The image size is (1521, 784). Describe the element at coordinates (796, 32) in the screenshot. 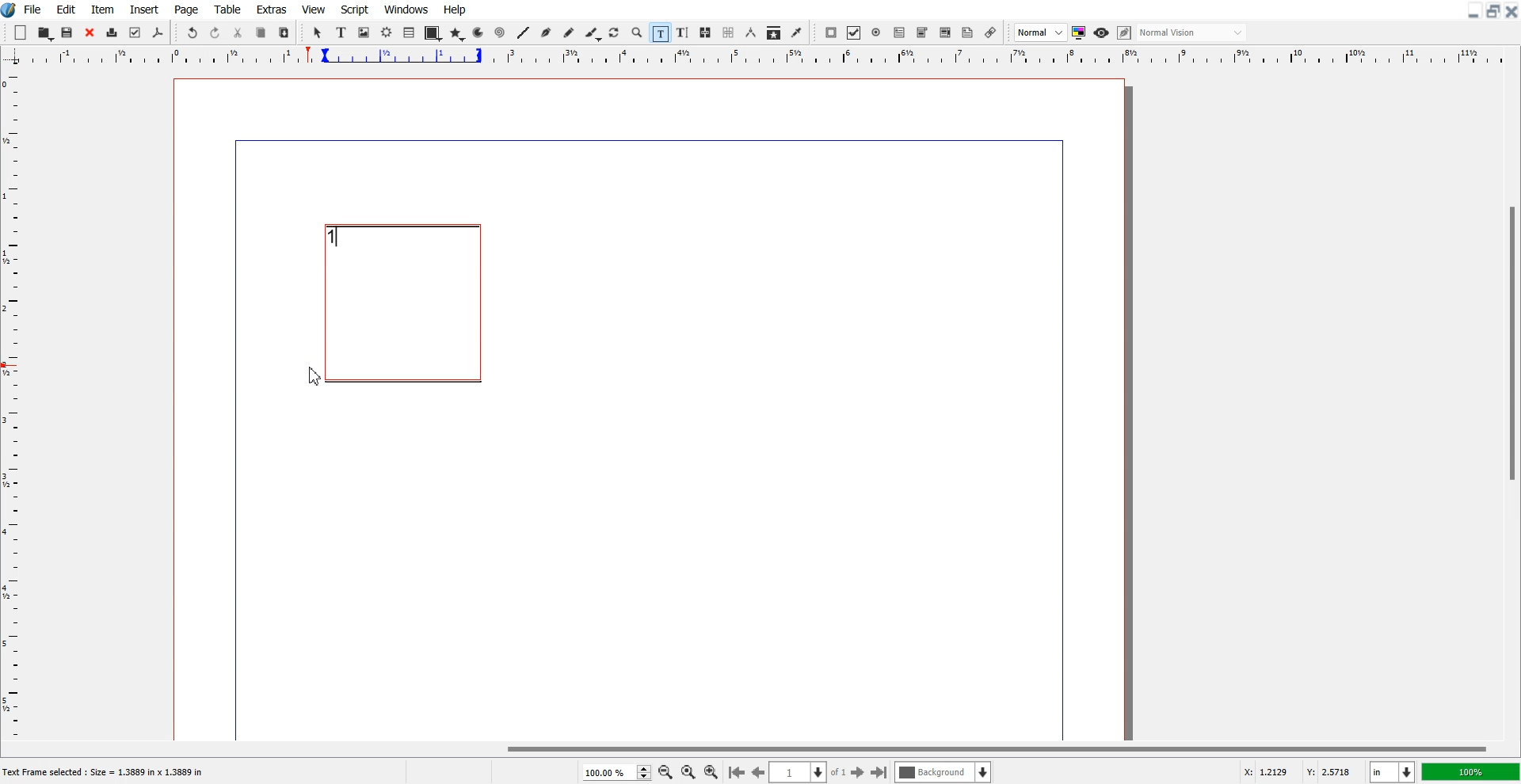

I see `Eye dropper` at that location.